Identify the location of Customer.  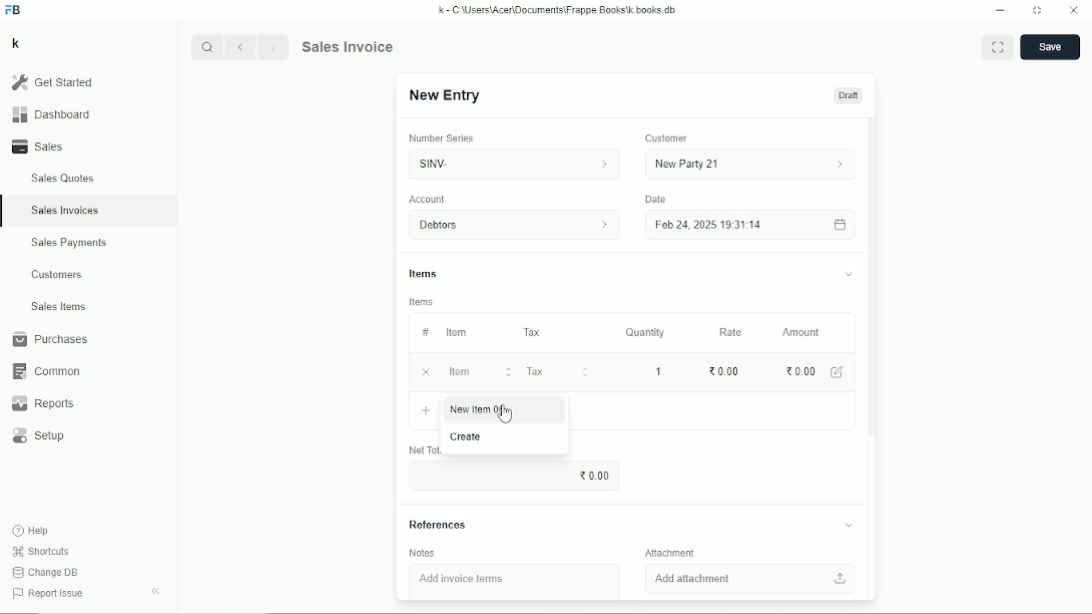
(667, 139).